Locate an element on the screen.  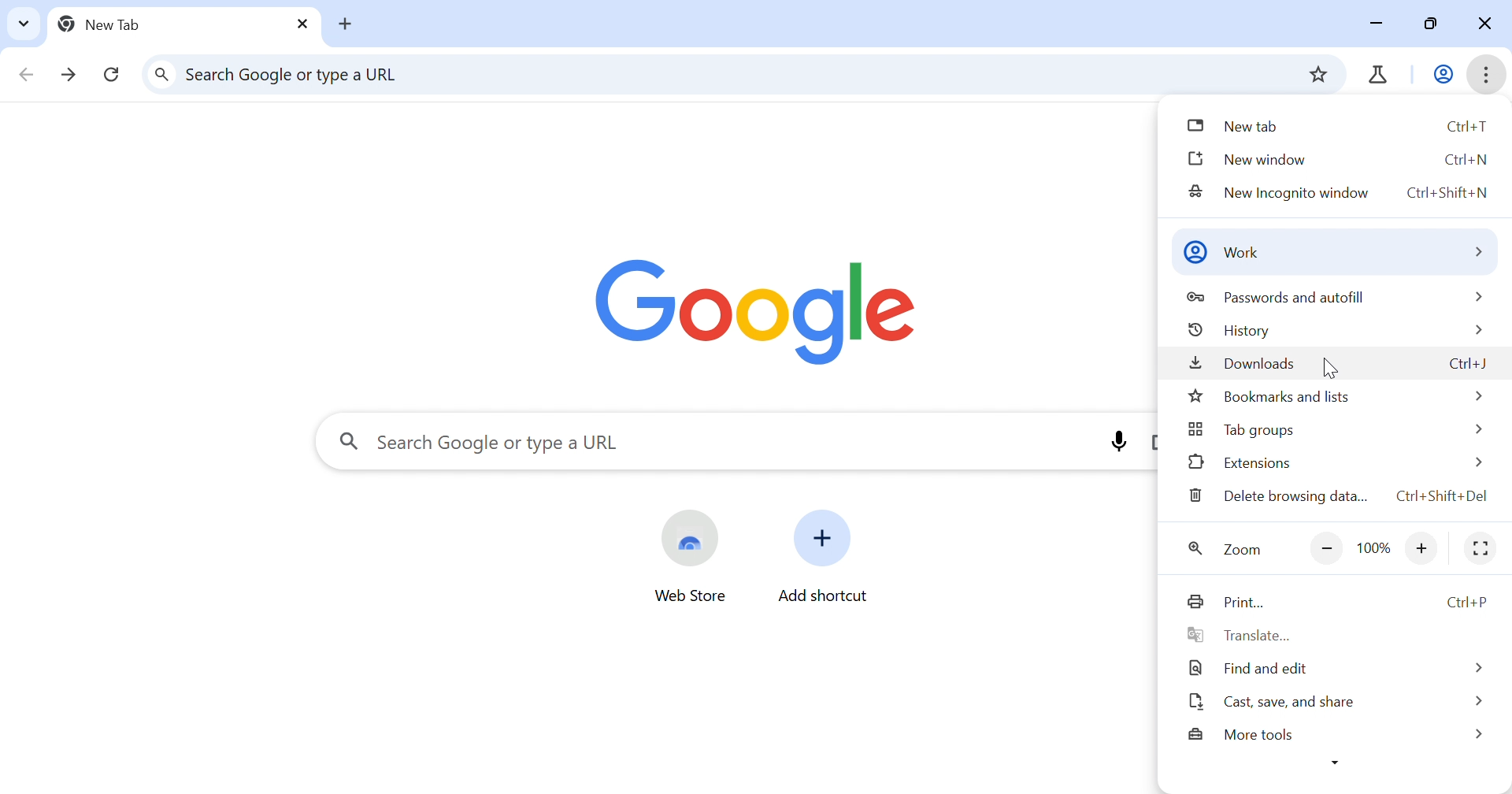
Print is located at coordinates (1226, 604).